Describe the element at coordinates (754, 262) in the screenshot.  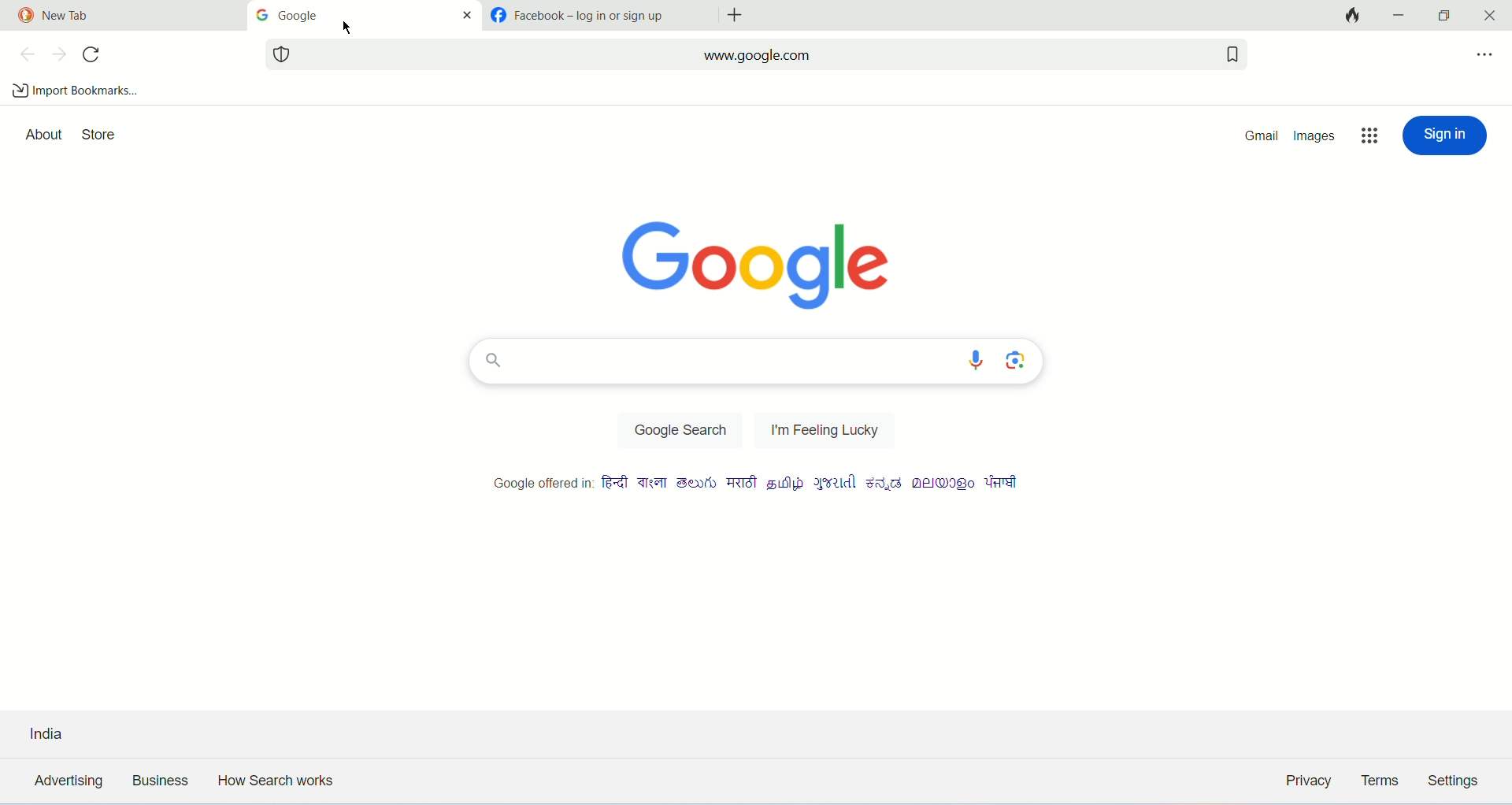
I see `Google` at that location.